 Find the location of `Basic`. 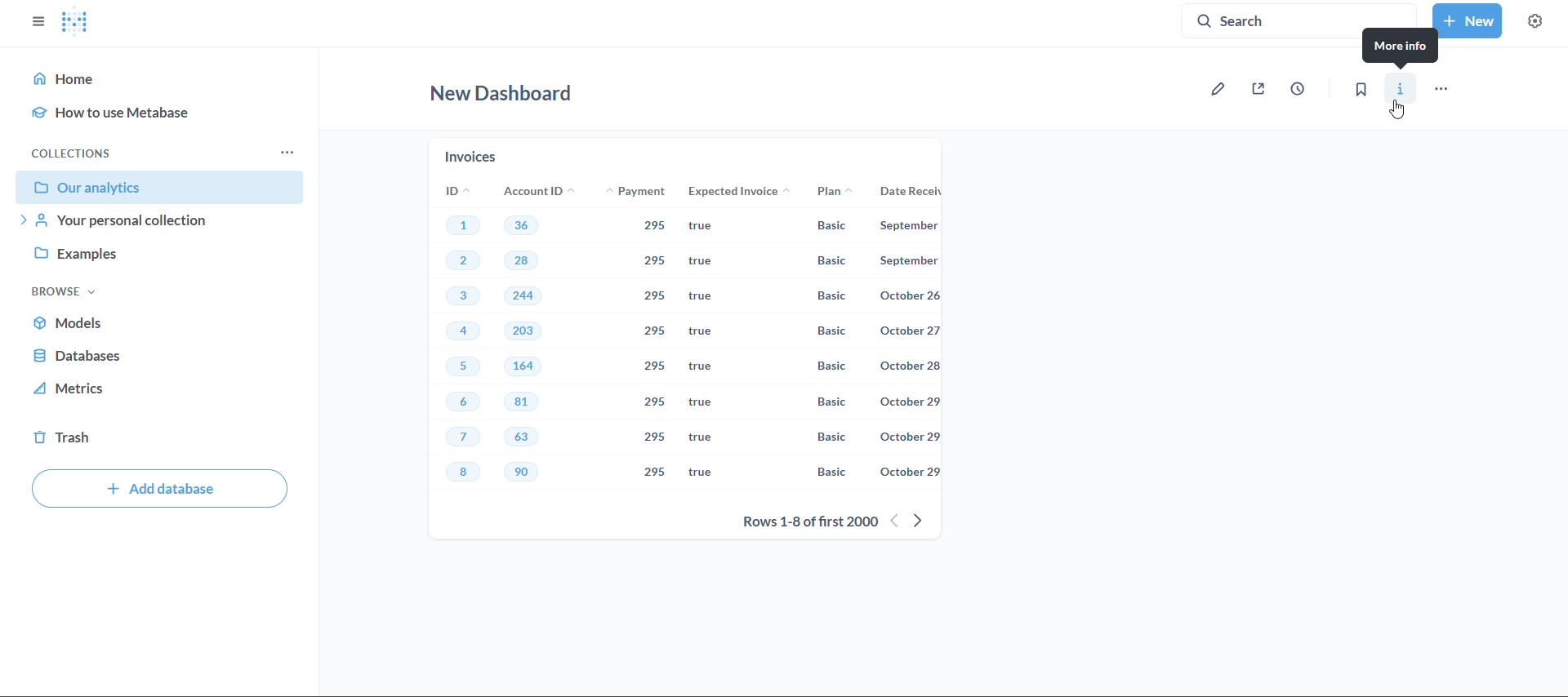

Basic is located at coordinates (835, 331).